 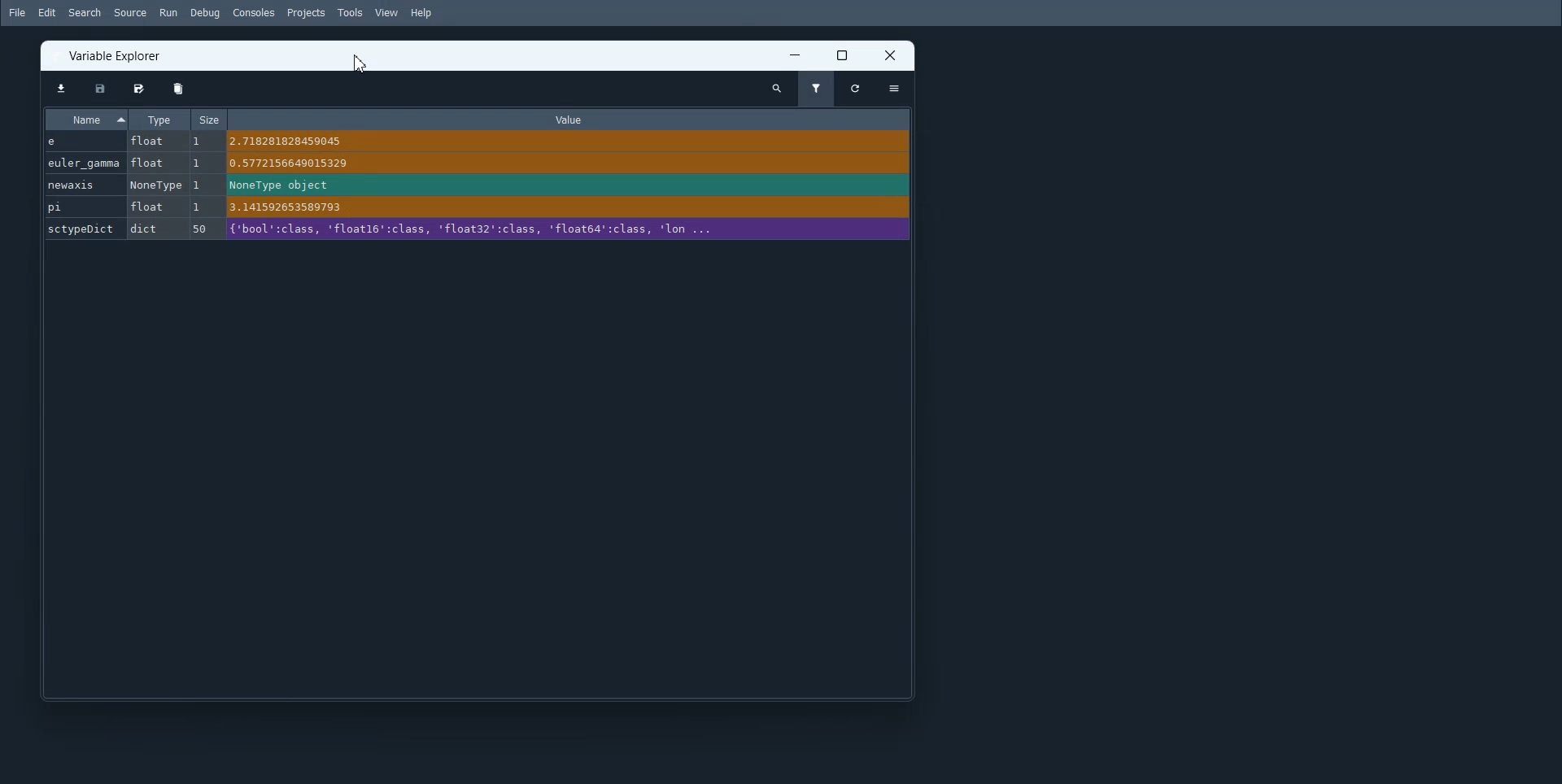 I want to click on Run, so click(x=168, y=13).